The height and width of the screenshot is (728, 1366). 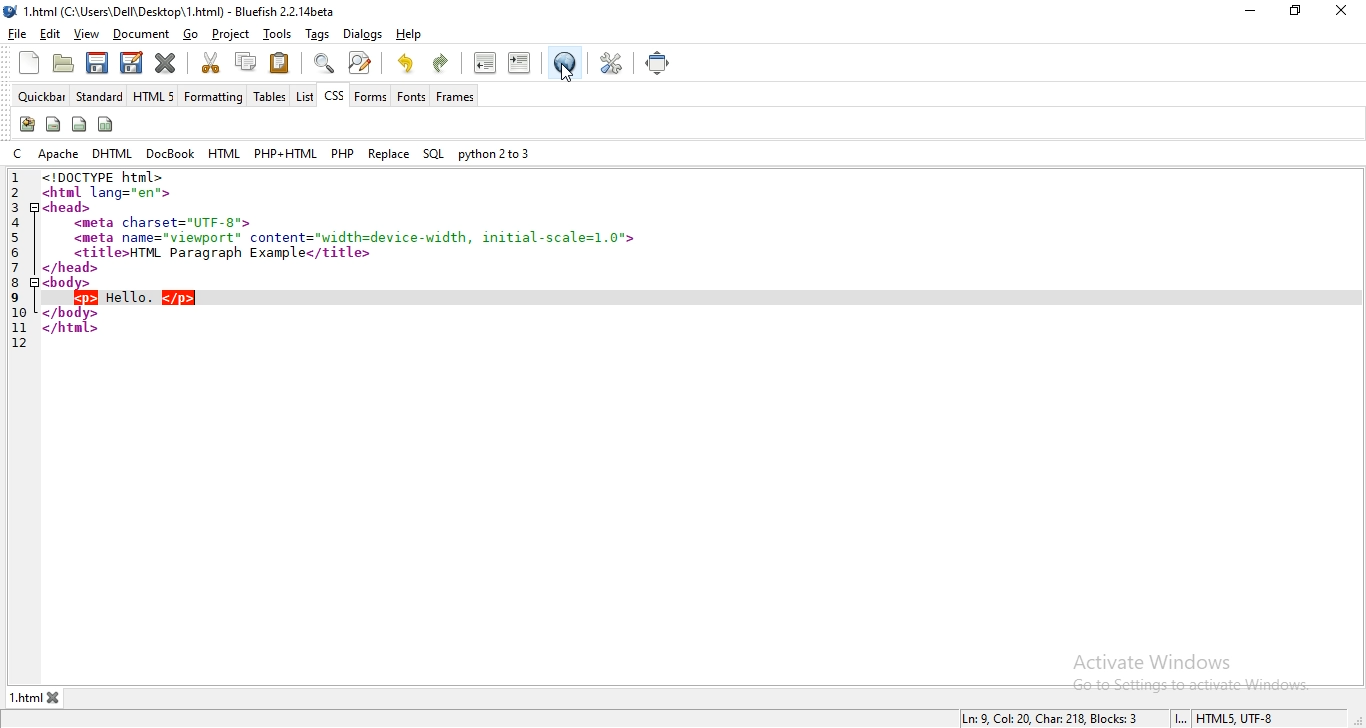 I want to click on HTML5, UTF-8, so click(x=1237, y=719).